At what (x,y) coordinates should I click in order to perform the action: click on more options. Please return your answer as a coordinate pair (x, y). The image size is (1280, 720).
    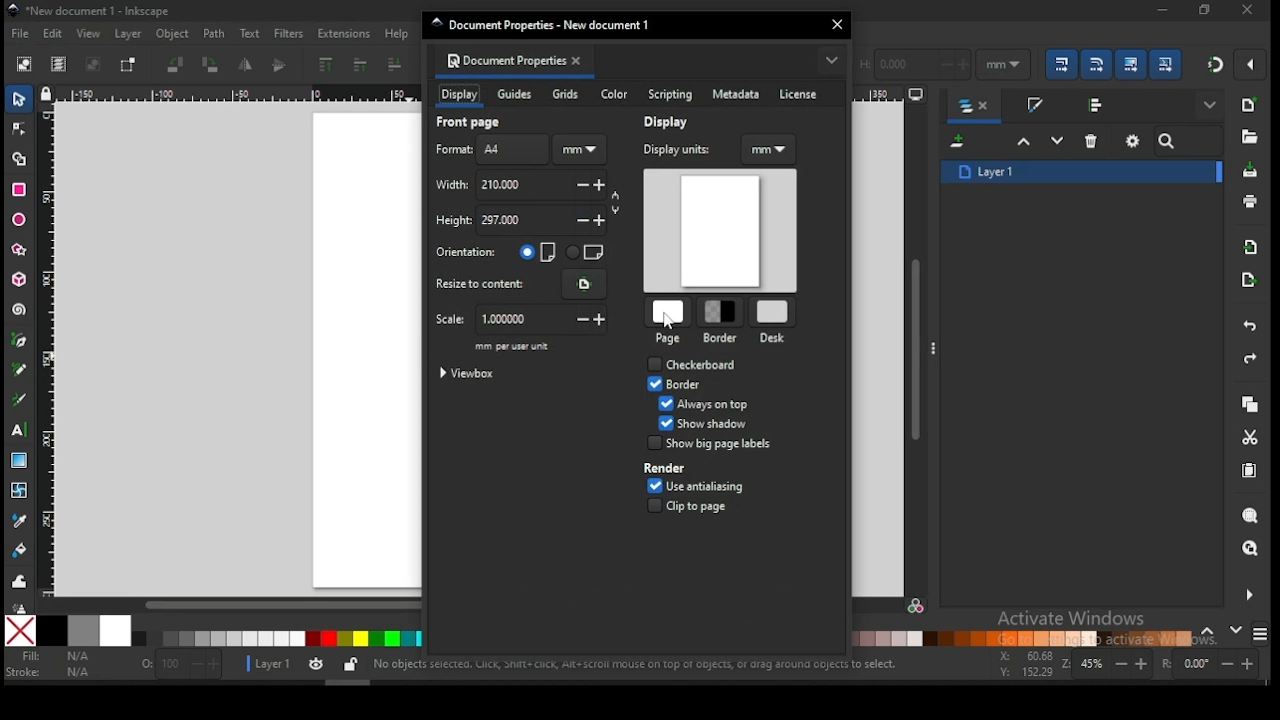
    Looking at the image, I should click on (936, 347).